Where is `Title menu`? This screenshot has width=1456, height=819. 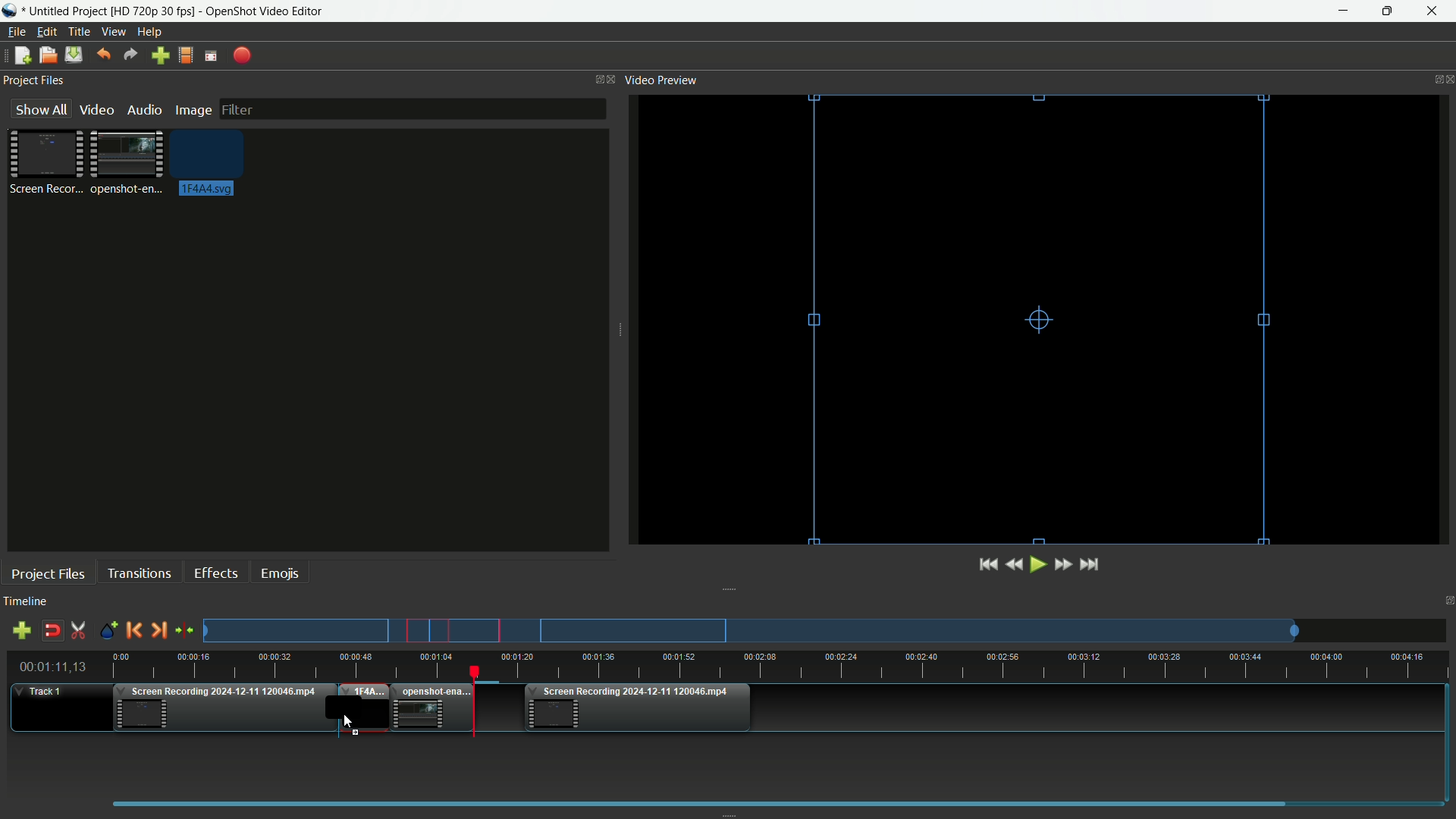 Title menu is located at coordinates (76, 33).